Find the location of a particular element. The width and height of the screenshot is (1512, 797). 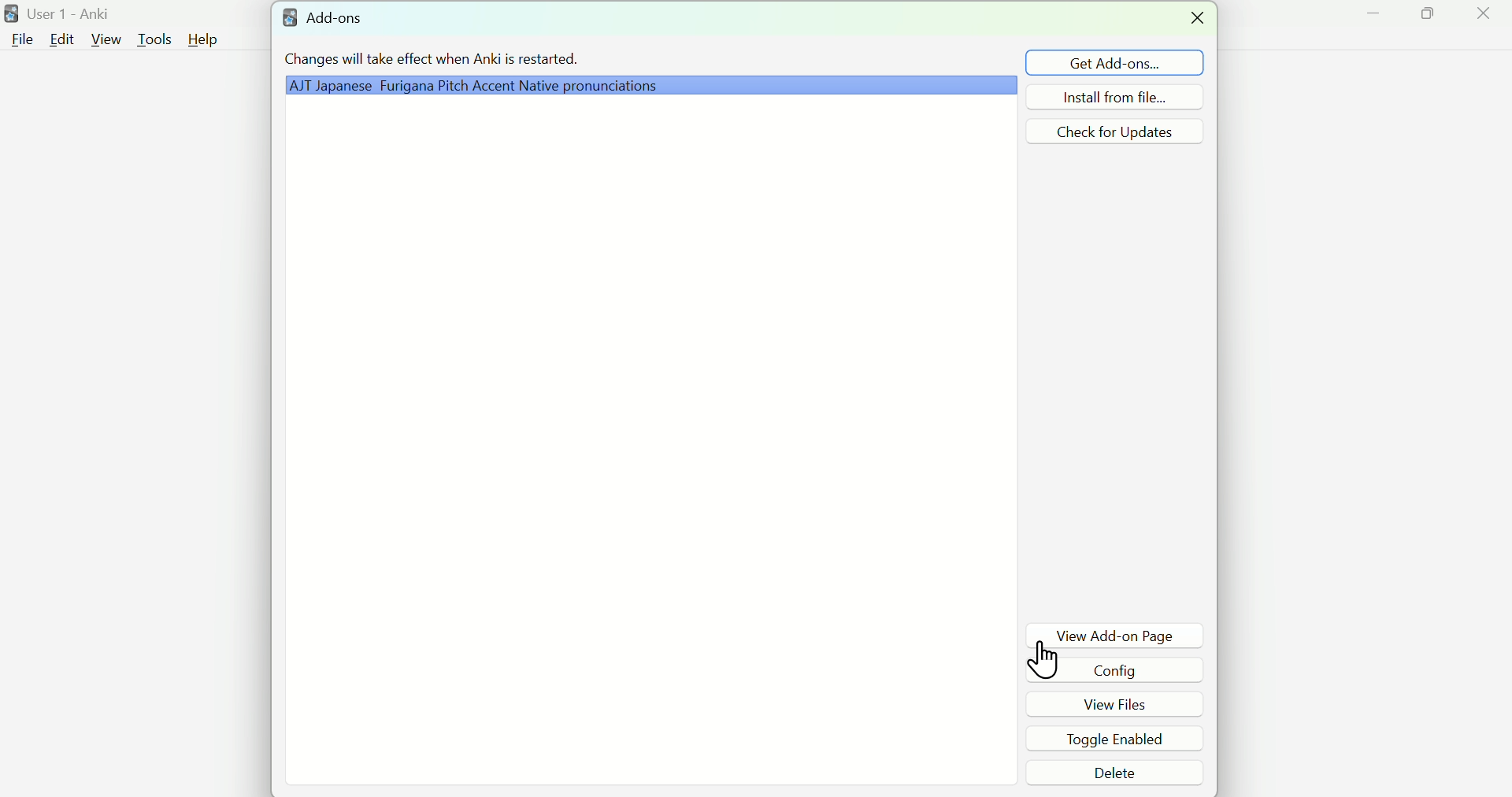

Delete is located at coordinates (1114, 774).